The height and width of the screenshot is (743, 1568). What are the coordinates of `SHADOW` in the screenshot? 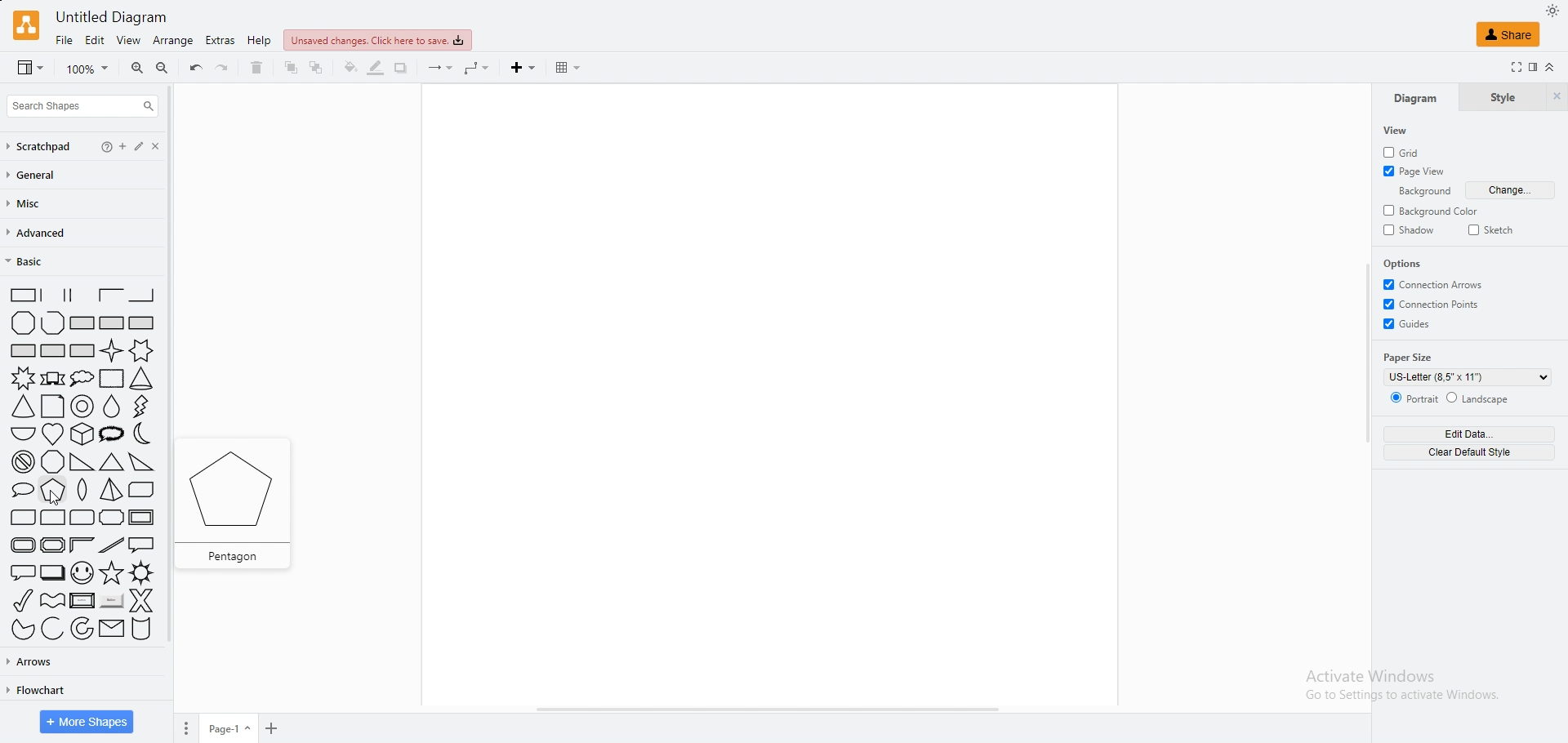 It's located at (401, 68).